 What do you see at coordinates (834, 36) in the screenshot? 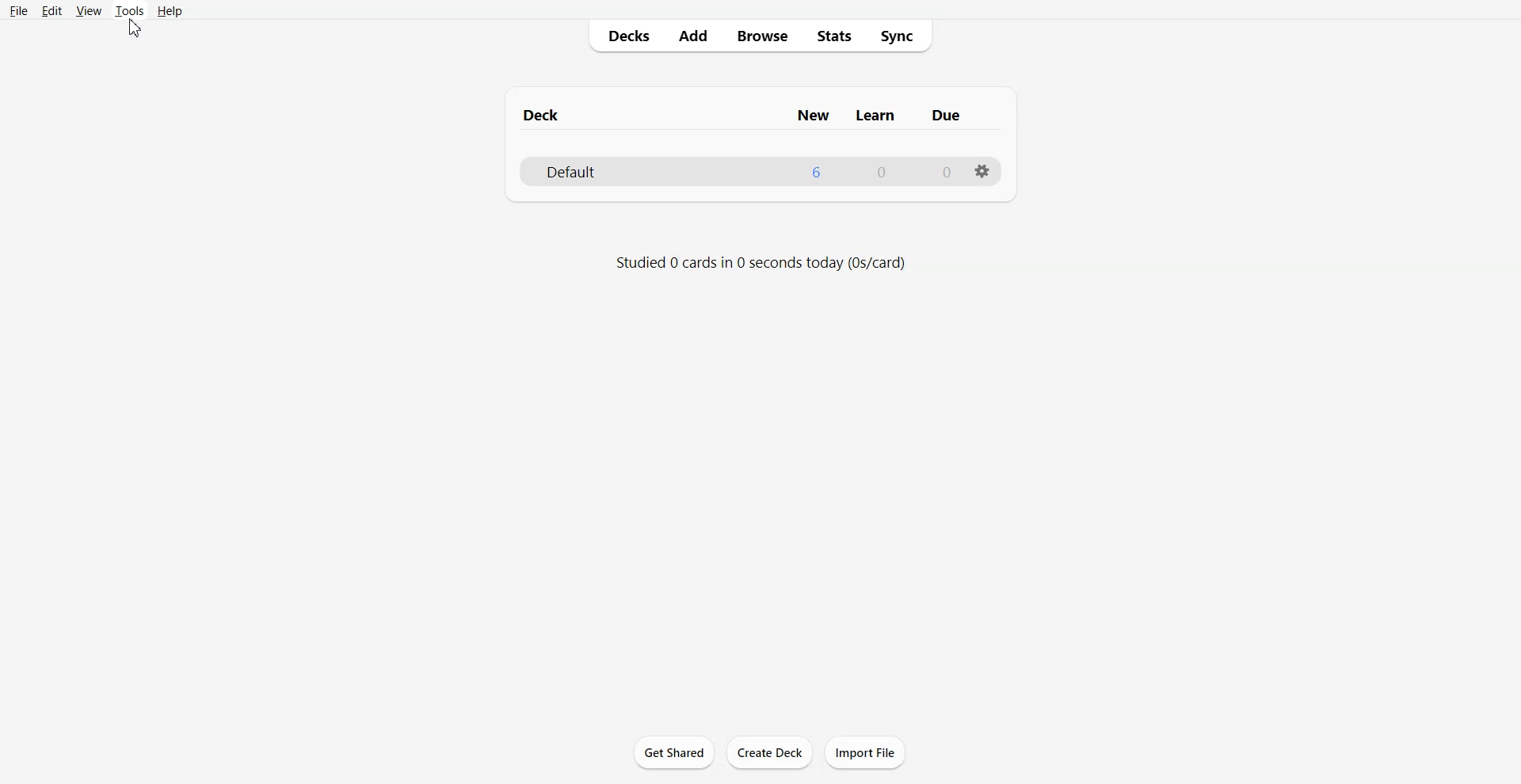
I see `Stats` at bounding box center [834, 36].